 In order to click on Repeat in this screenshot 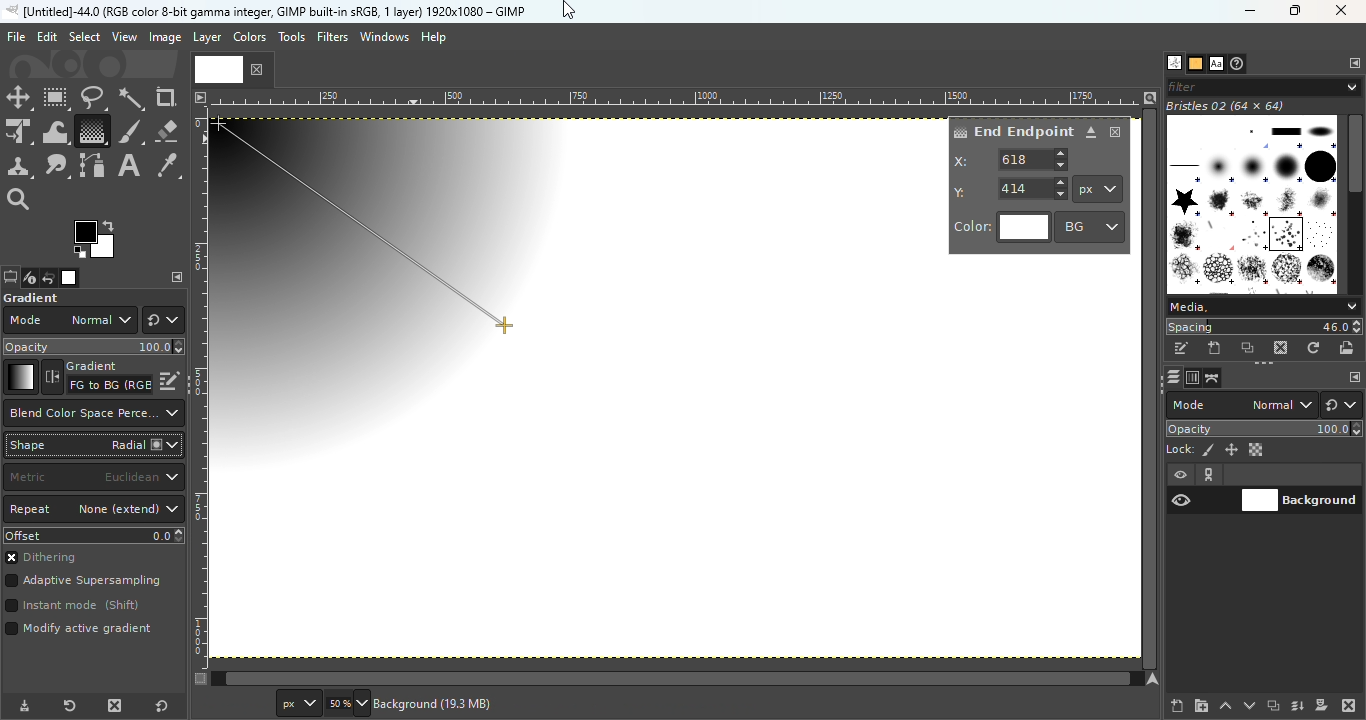, I will do `click(94, 510)`.